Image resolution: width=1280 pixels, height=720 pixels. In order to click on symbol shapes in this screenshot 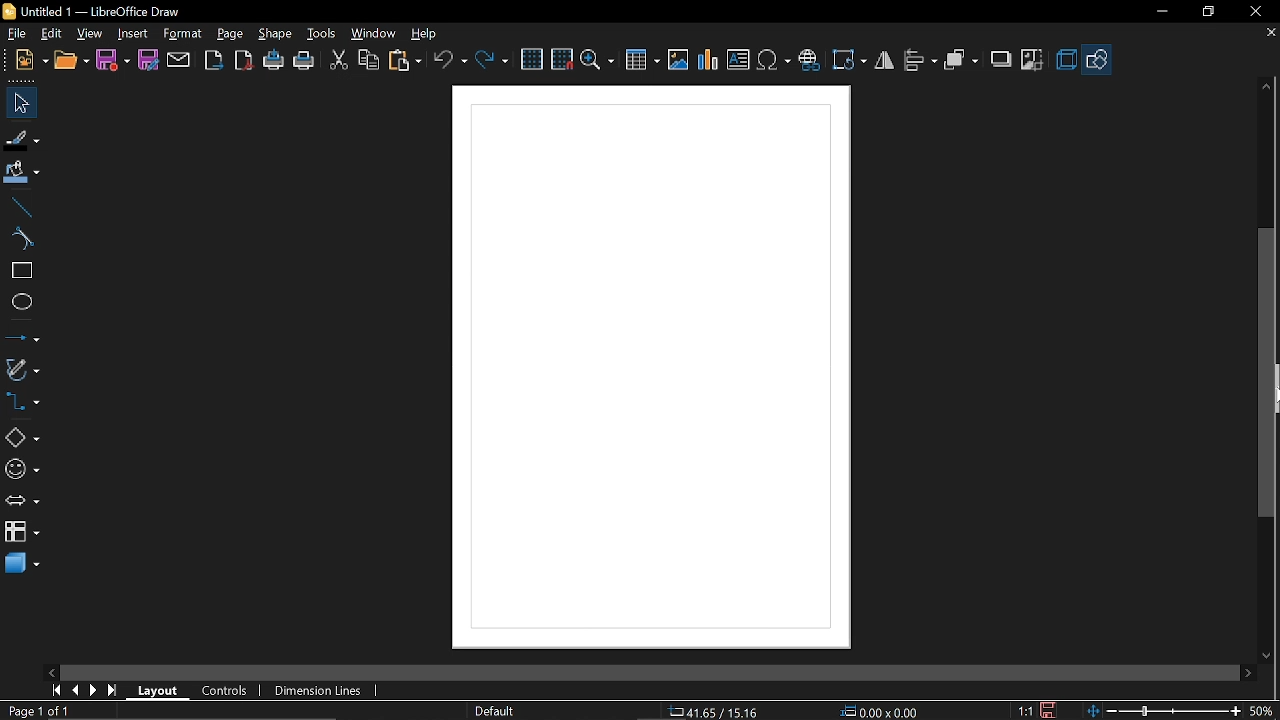, I will do `click(20, 472)`.